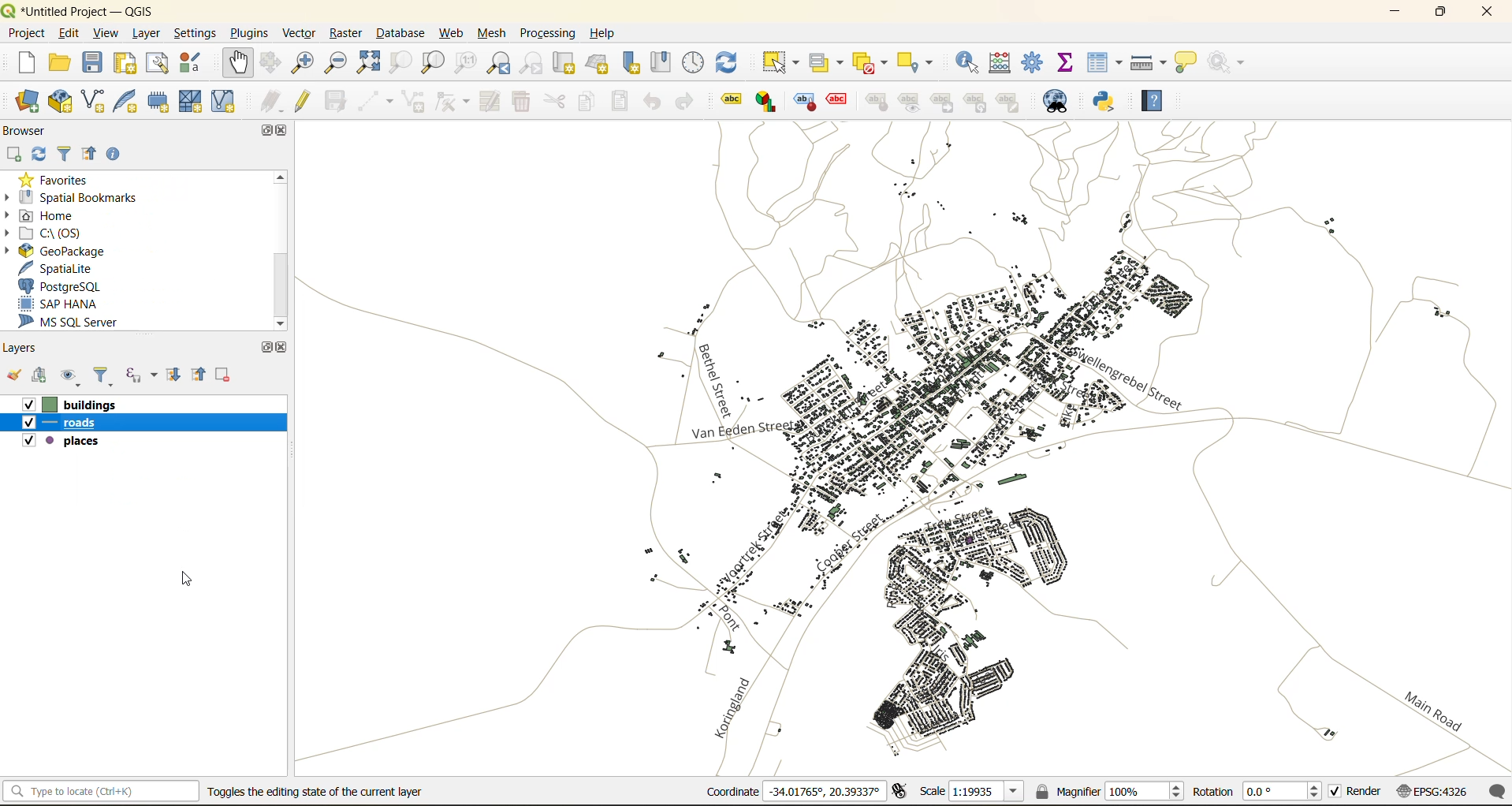  I want to click on filter, so click(107, 376).